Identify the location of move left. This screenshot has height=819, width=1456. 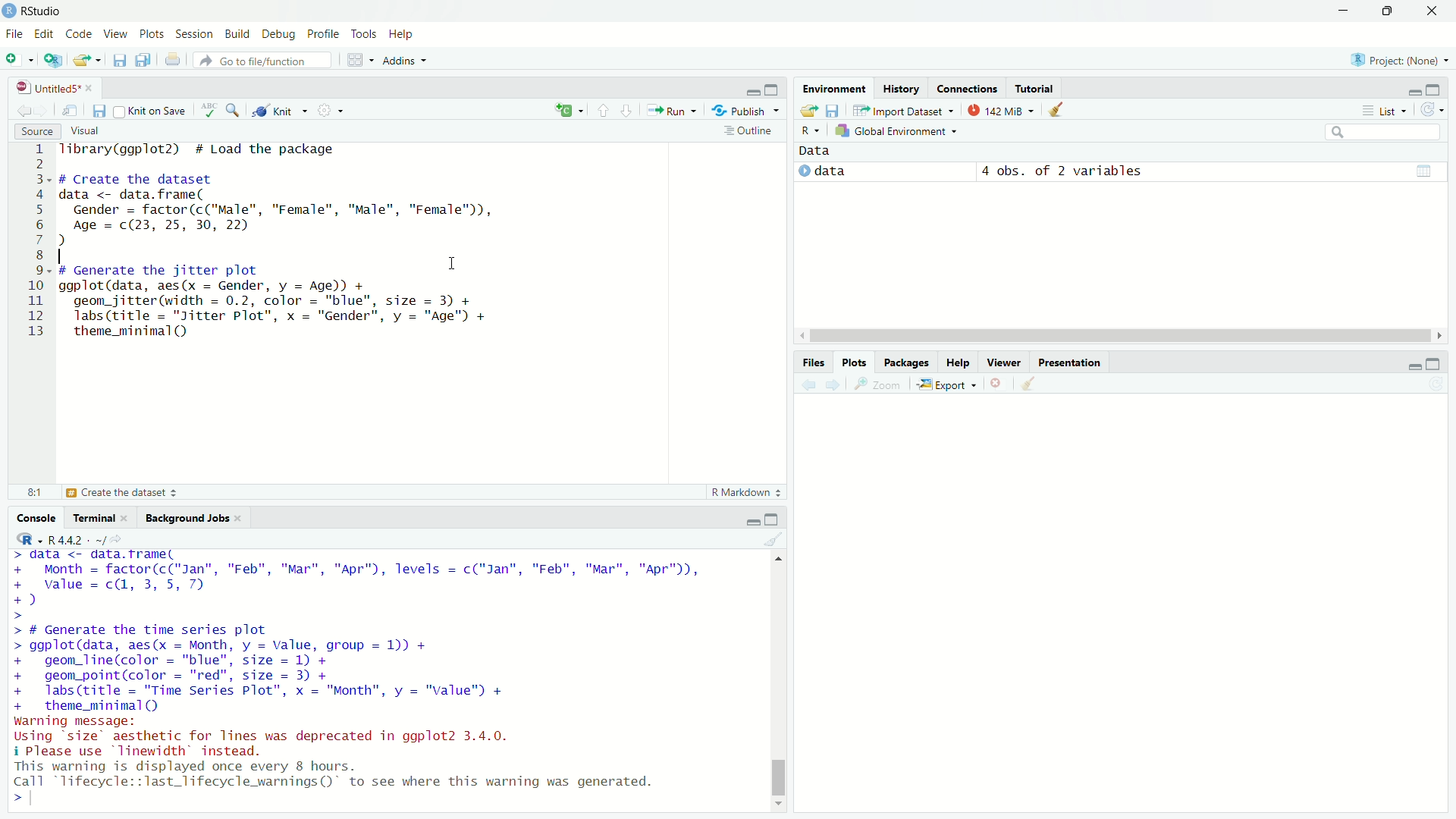
(804, 337).